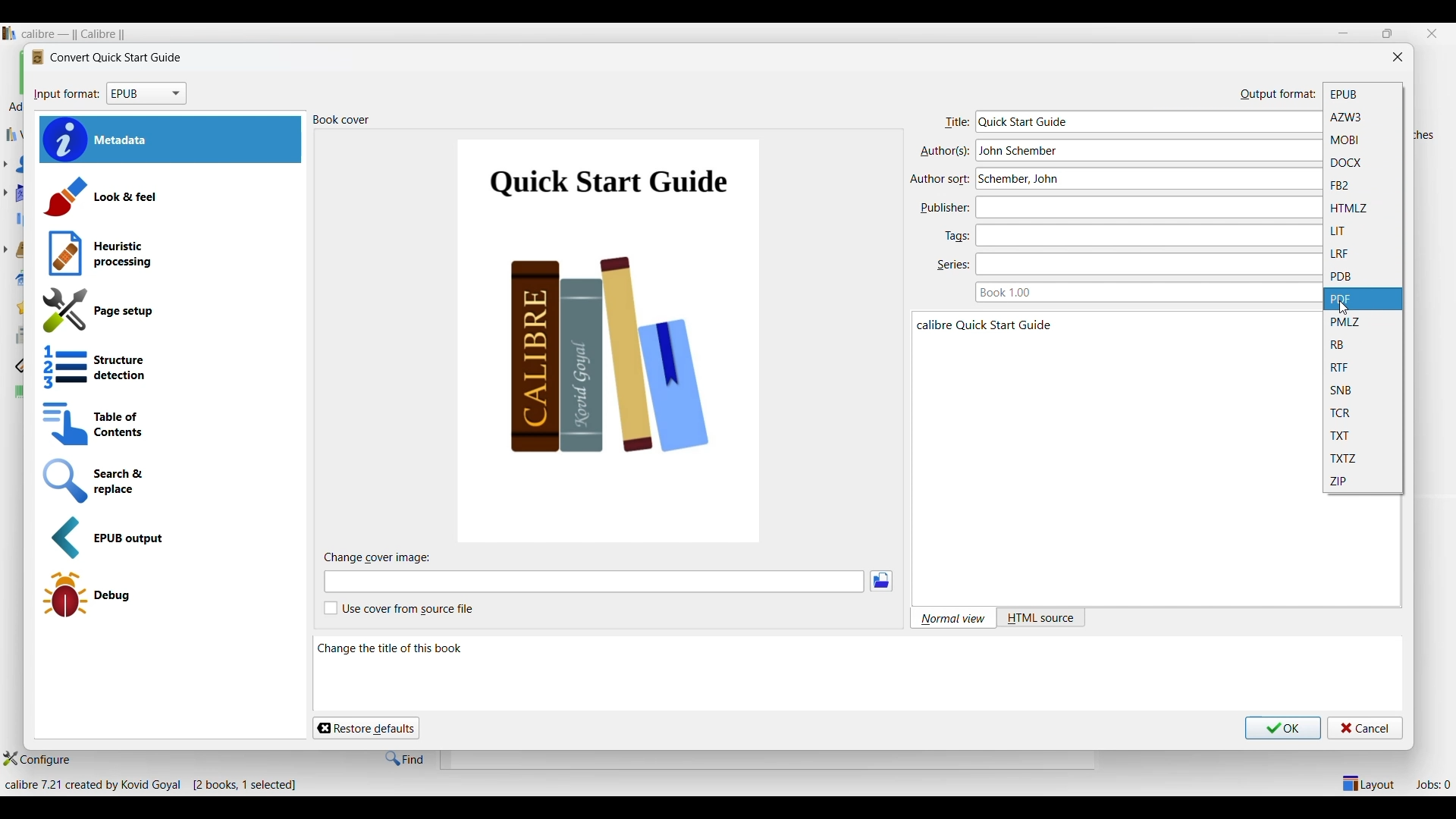 The width and height of the screenshot is (1456, 819). Describe the element at coordinates (1432, 785) in the screenshot. I see `Jobs` at that location.